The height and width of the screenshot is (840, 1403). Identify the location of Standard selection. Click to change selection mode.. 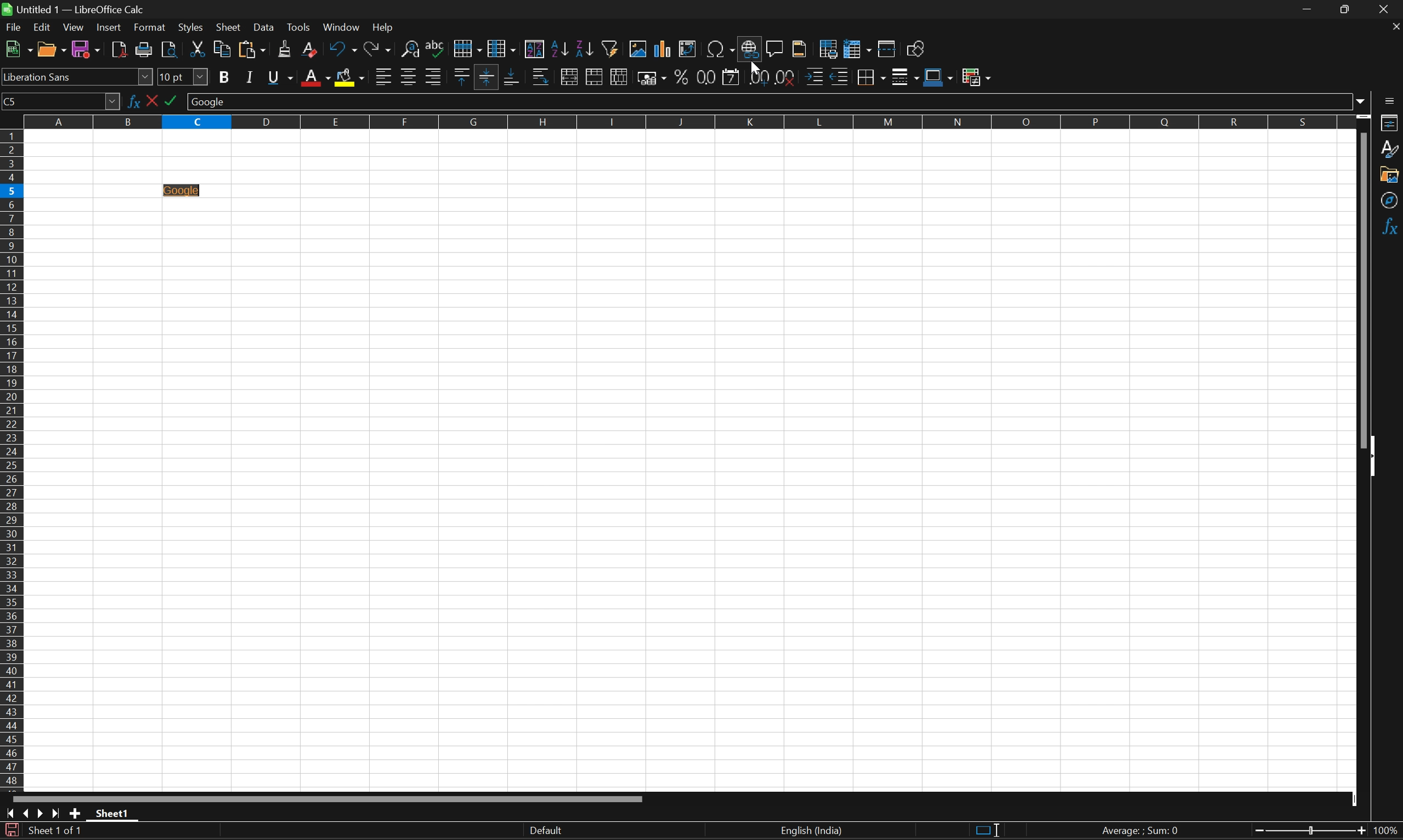
(987, 832).